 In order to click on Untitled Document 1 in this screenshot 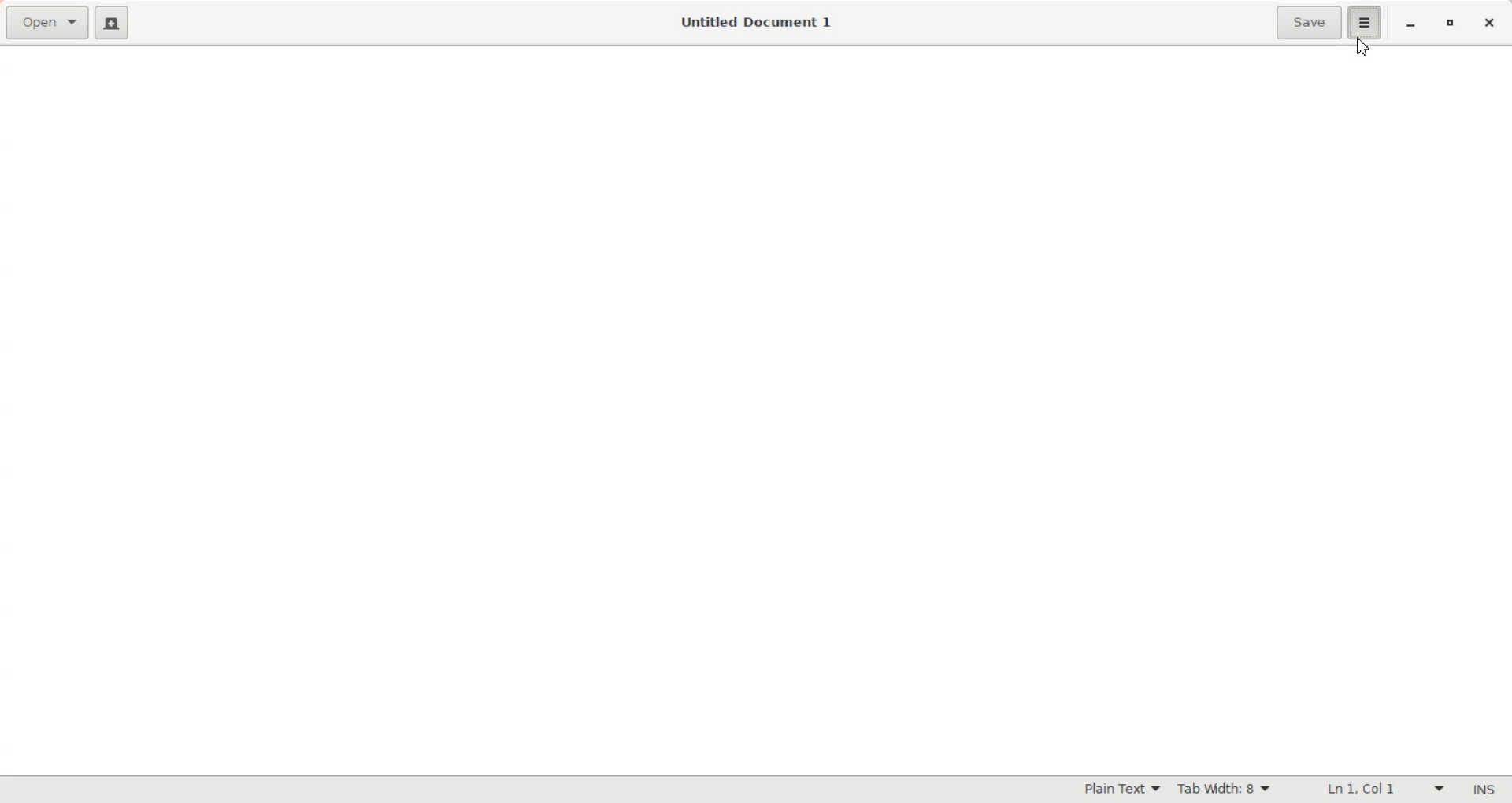, I will do `click(756, 22)`.